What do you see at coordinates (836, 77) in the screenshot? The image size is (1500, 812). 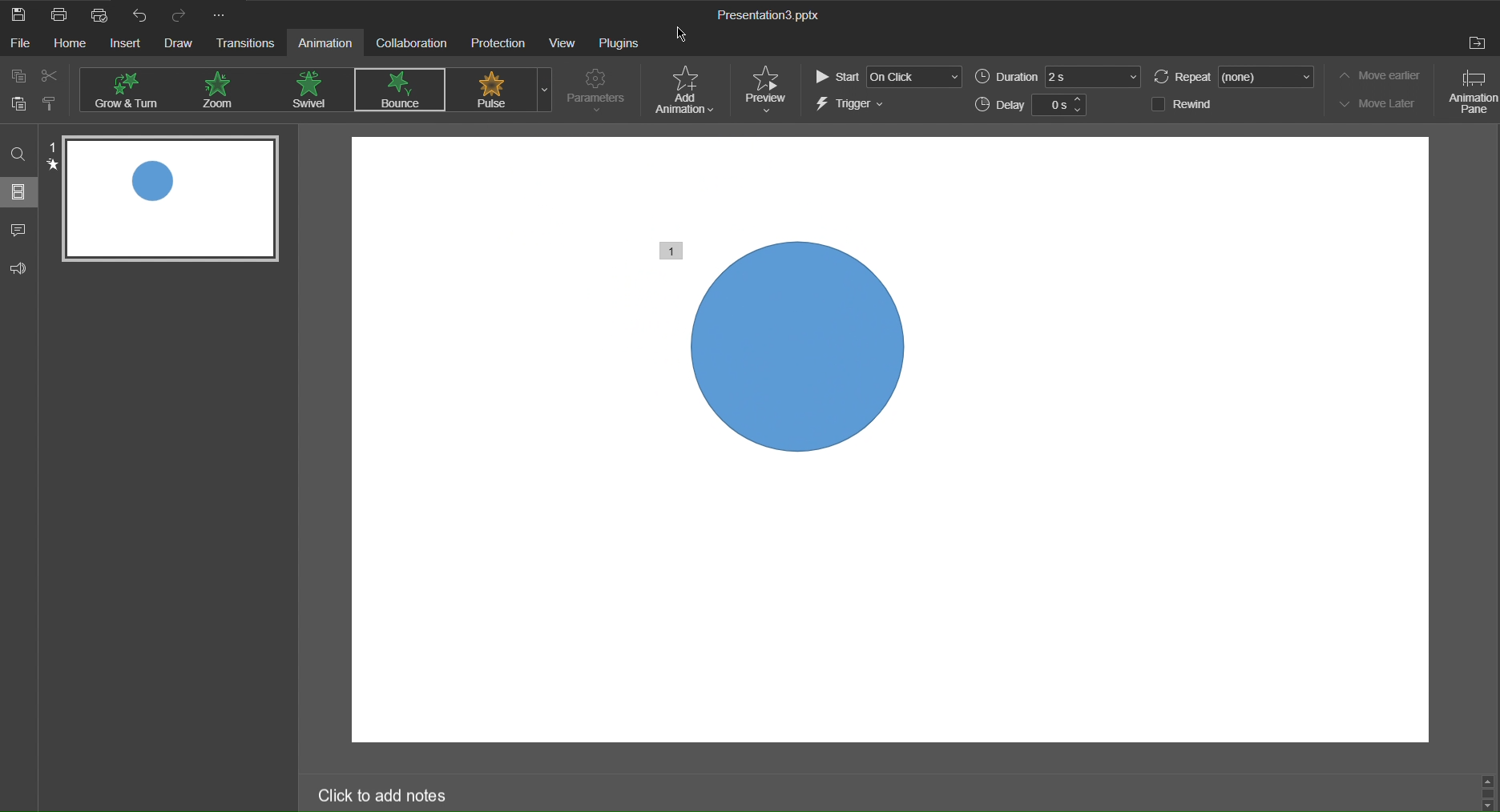 I see `Start: ` at bounding box center [836, 77].